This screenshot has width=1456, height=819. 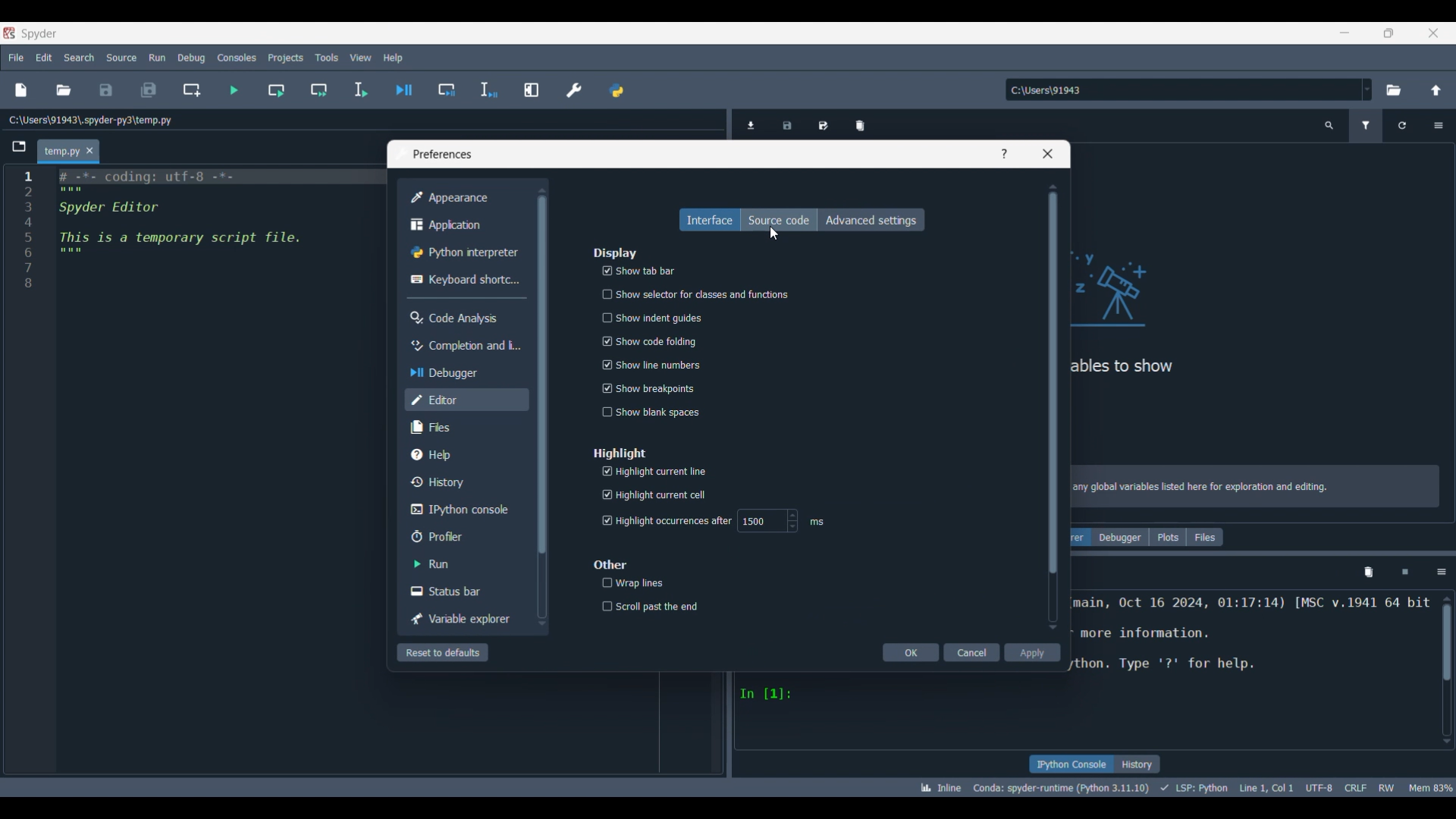 I want to click on Refresh variables, so click(x=1401, y=126).